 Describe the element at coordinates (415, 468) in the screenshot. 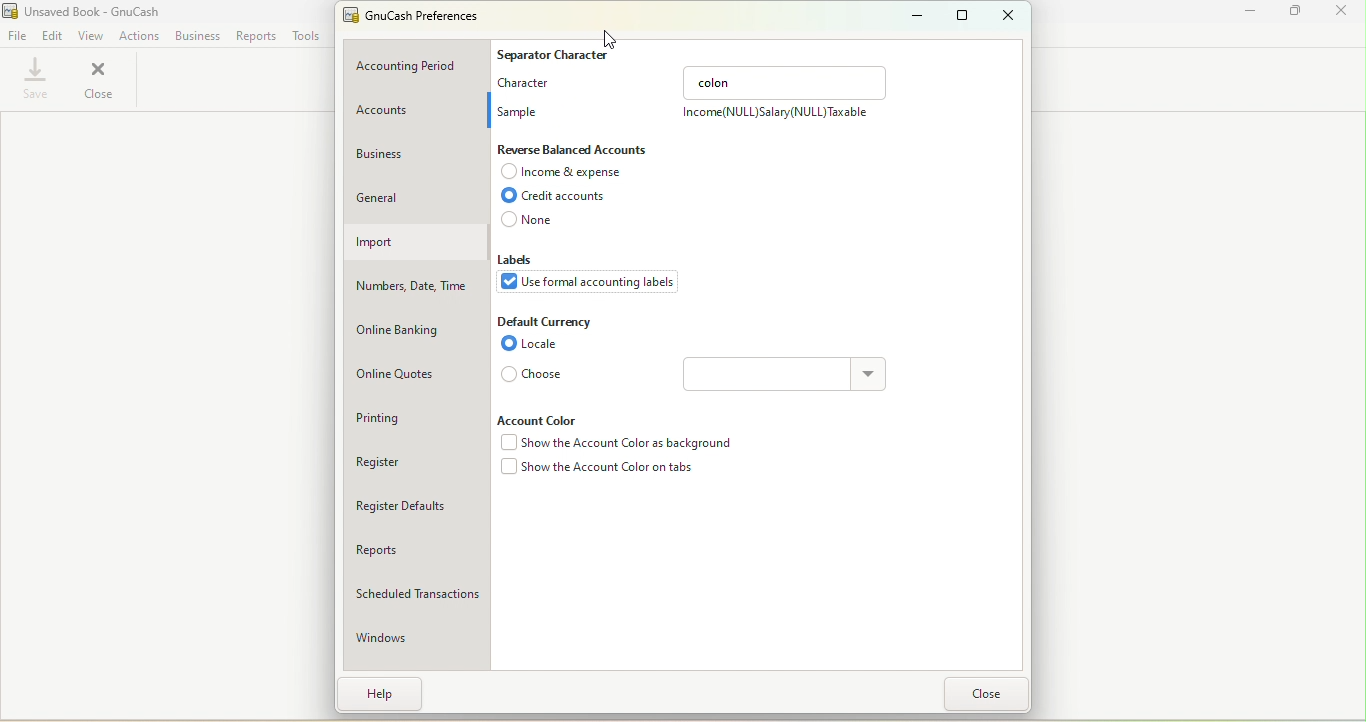

I see `Register` at that location.